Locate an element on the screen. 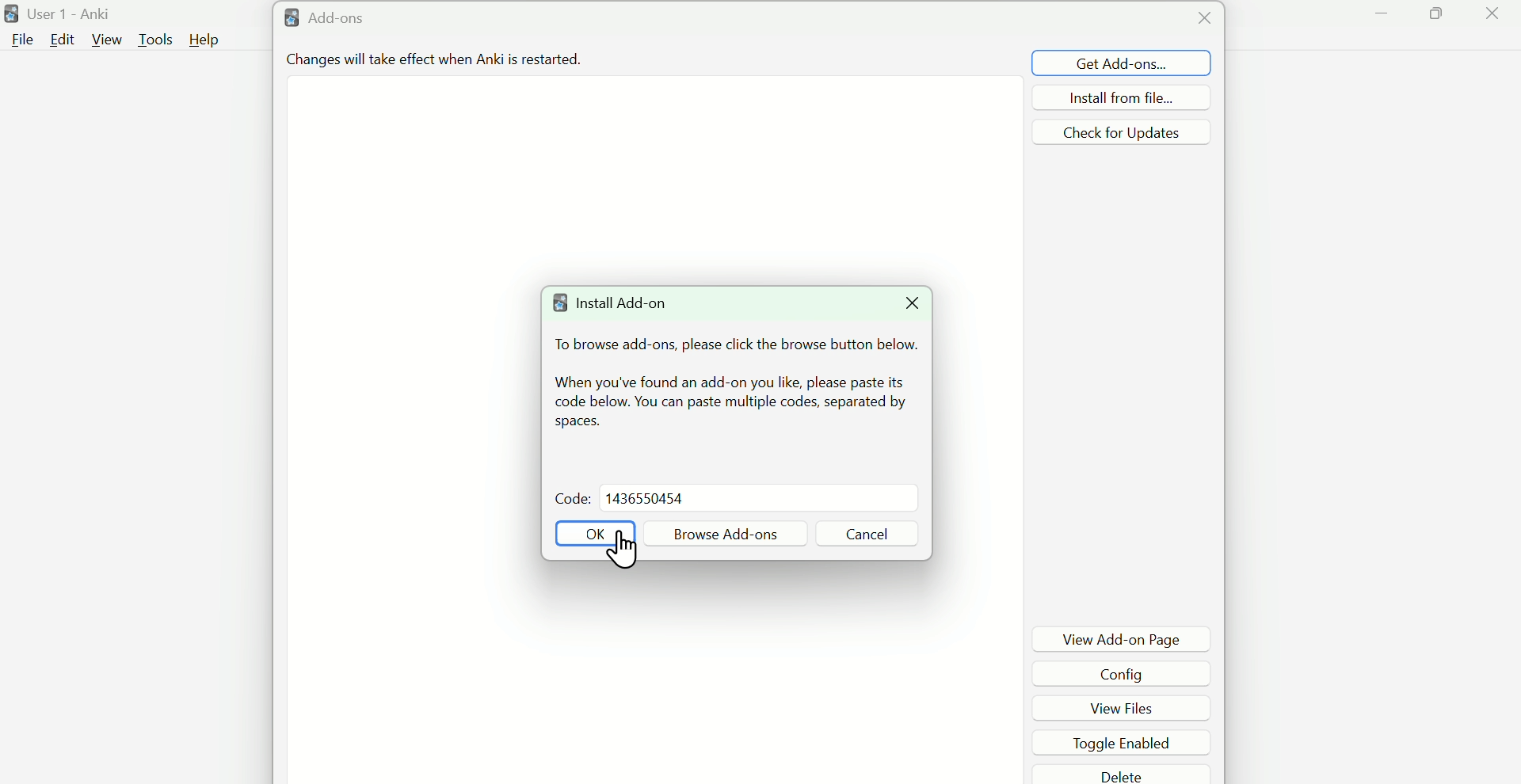 This screenshot has height=784, width=1521. code is located at coordinates (565, 496).